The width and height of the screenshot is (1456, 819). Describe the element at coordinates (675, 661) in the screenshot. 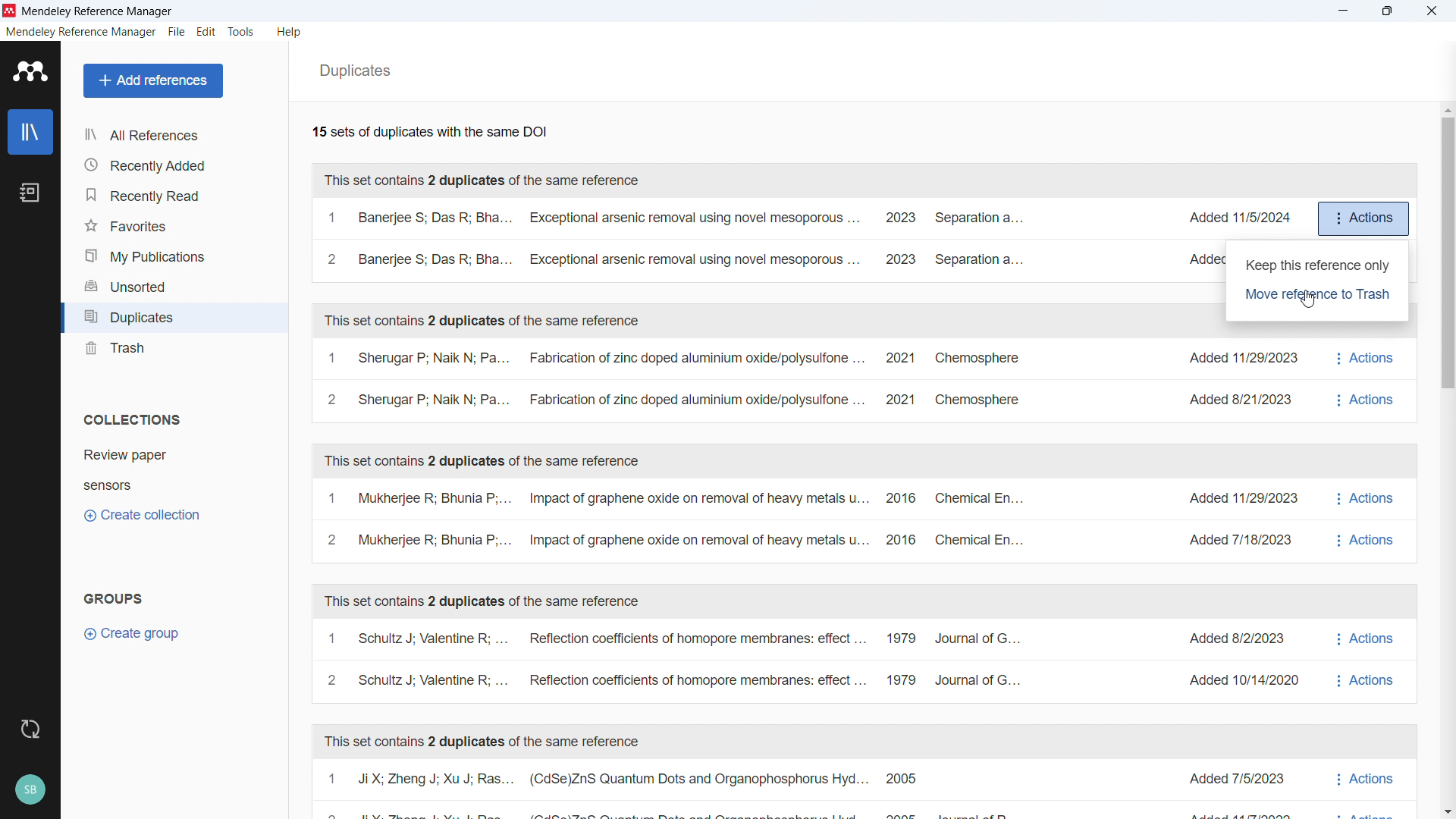

I see `Set of duplicates ` at that location.